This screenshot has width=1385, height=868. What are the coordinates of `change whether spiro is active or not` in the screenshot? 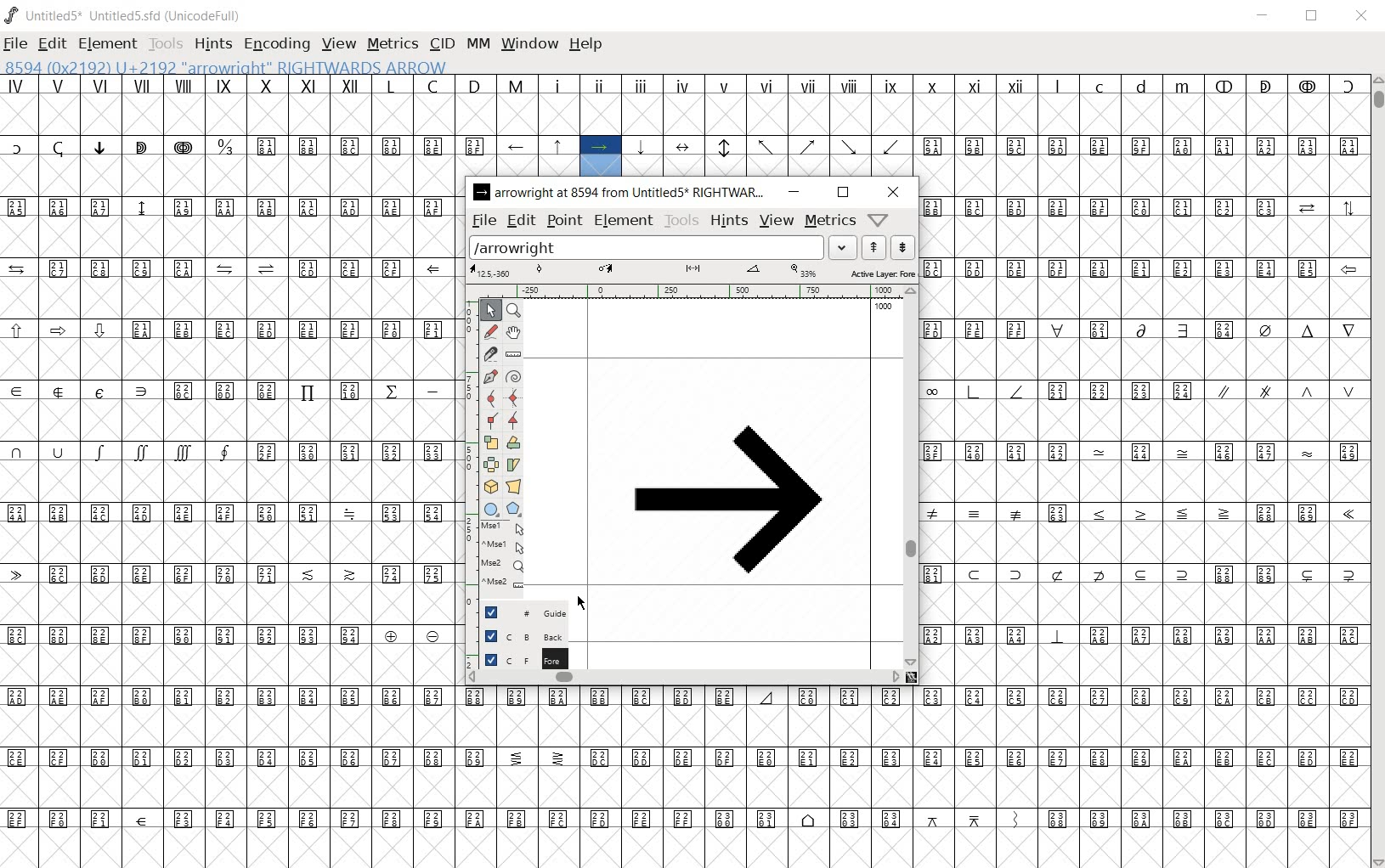 It's located at (514, 375).